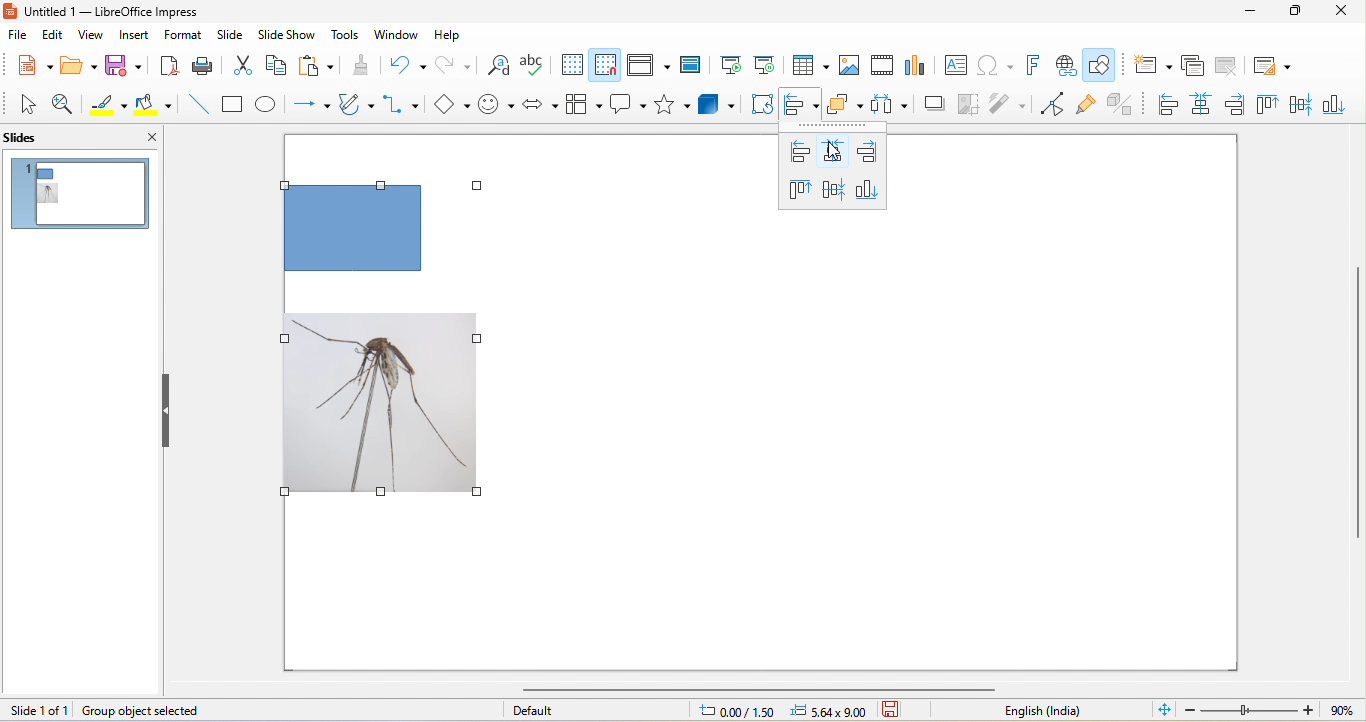  Describe the element at coordinates (573, 64) in the screenshot. I see `display grid` at that location.